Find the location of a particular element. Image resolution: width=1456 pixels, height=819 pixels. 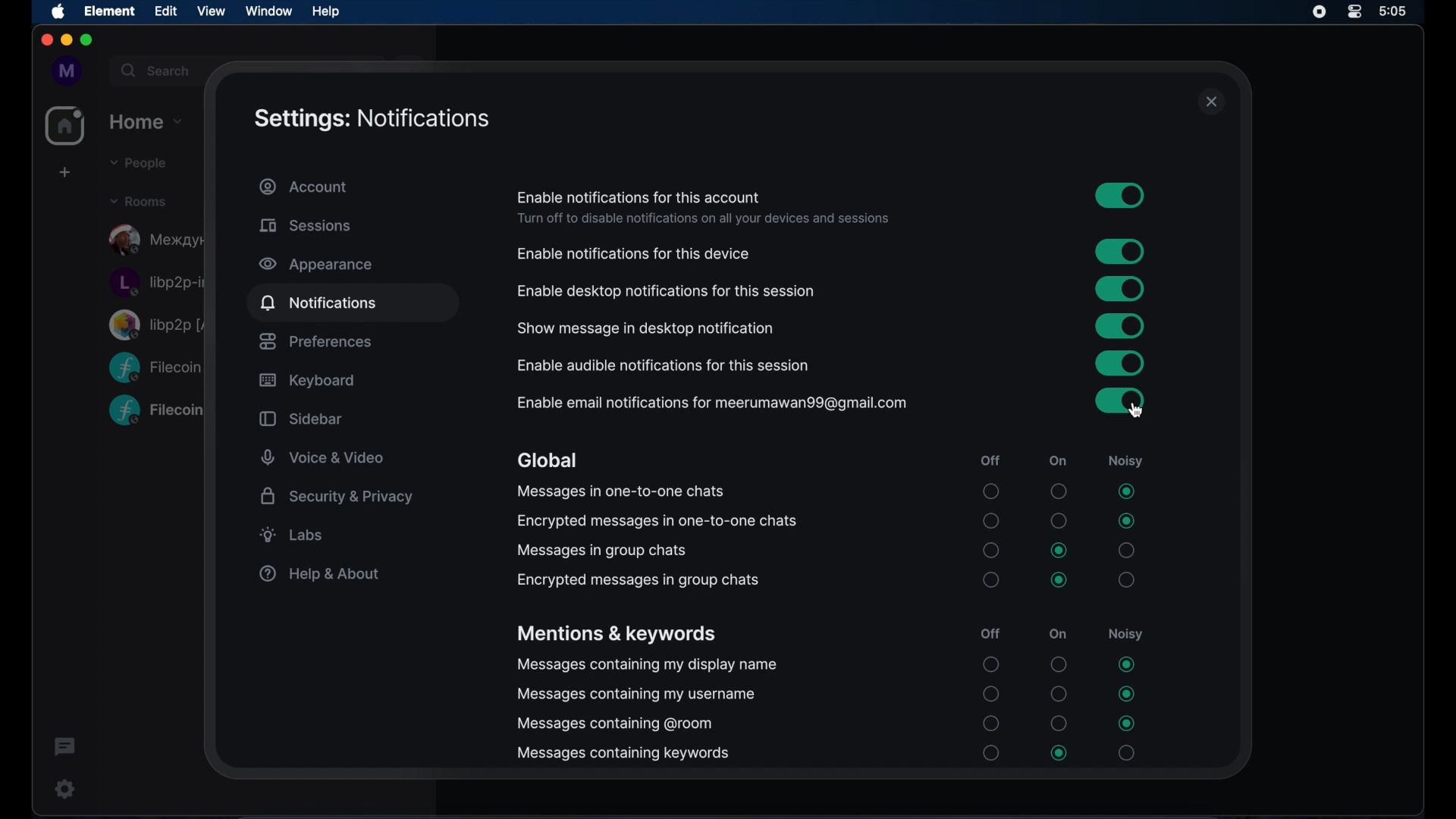

messages containing my username is located at coordinates (637, 695).